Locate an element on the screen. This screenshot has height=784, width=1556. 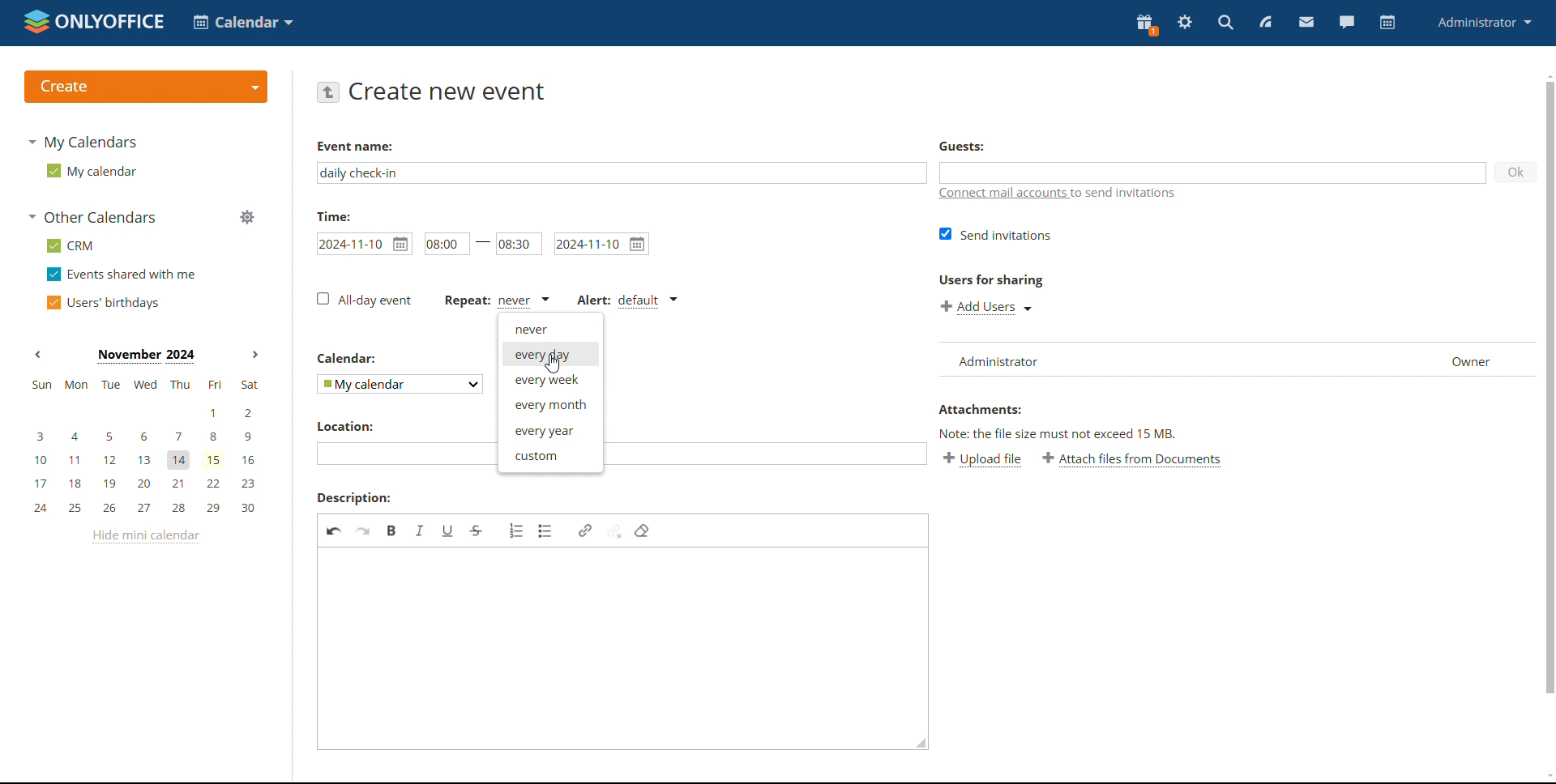
create is located at coordinates (145, 87).